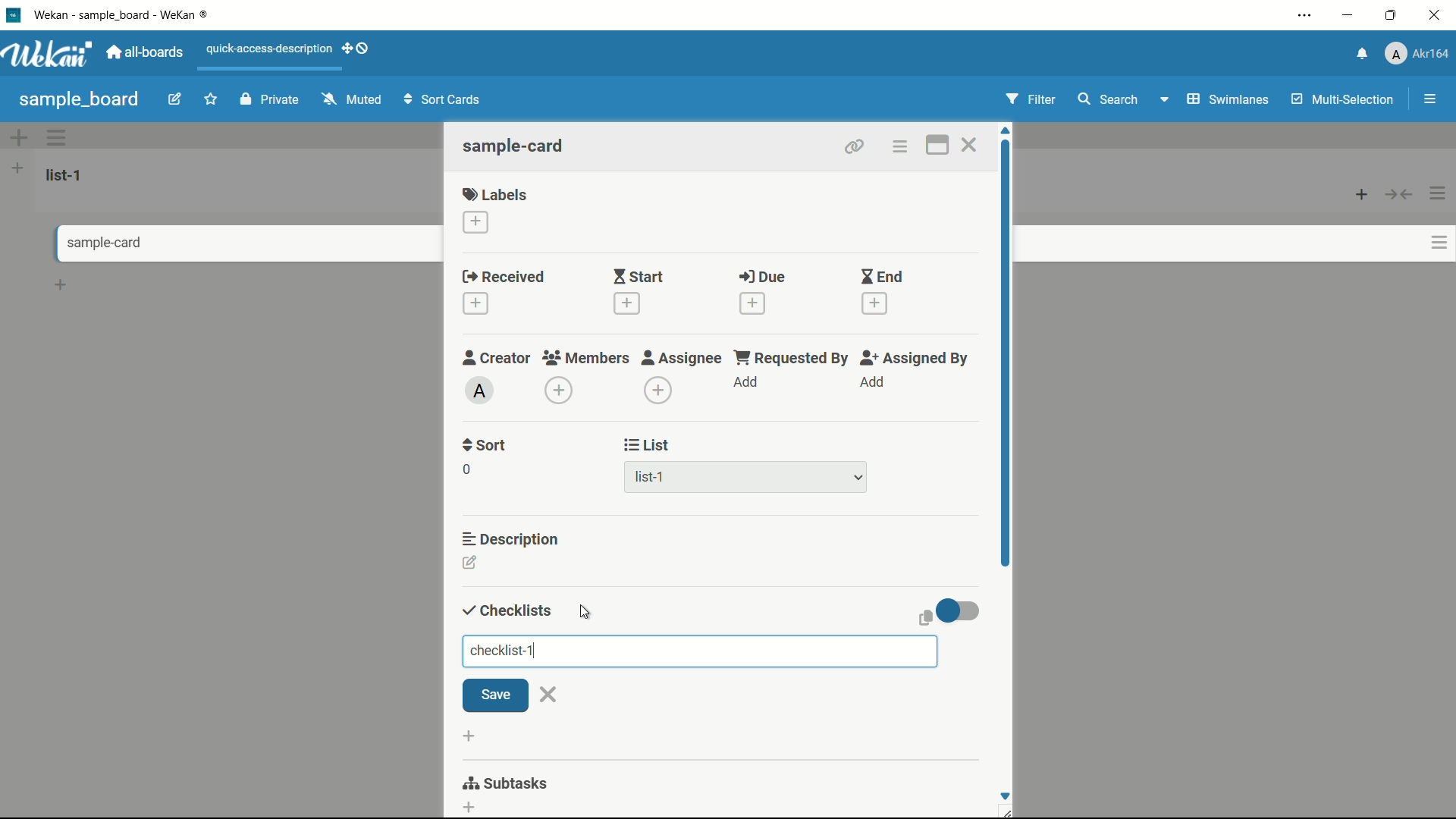 The width and height of the screenshot is (1456, 819). Describe the element at coordinates (497, 357) in the screenshot. I see `creator` at that location.